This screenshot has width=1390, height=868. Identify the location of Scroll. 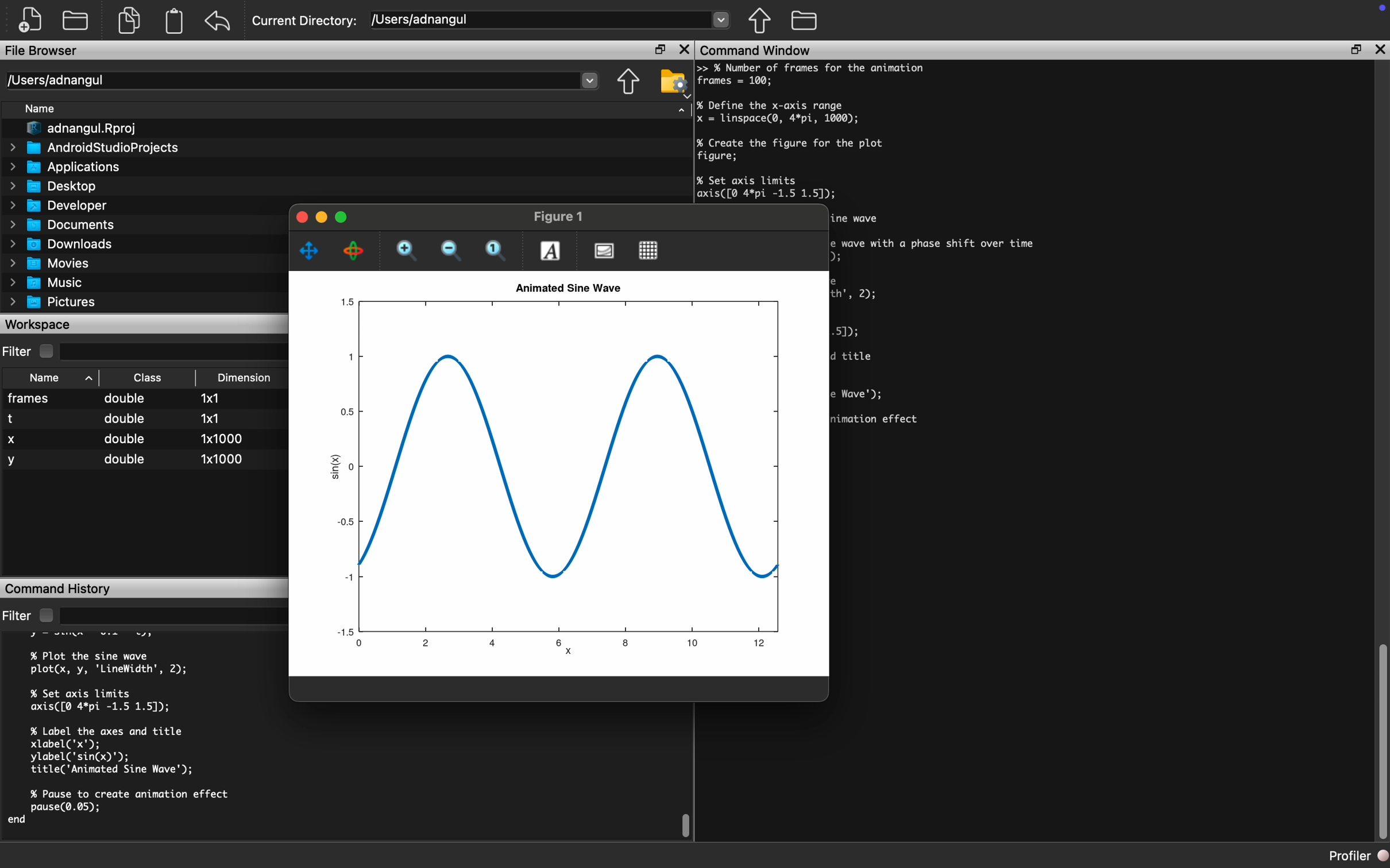
(1381, 738).